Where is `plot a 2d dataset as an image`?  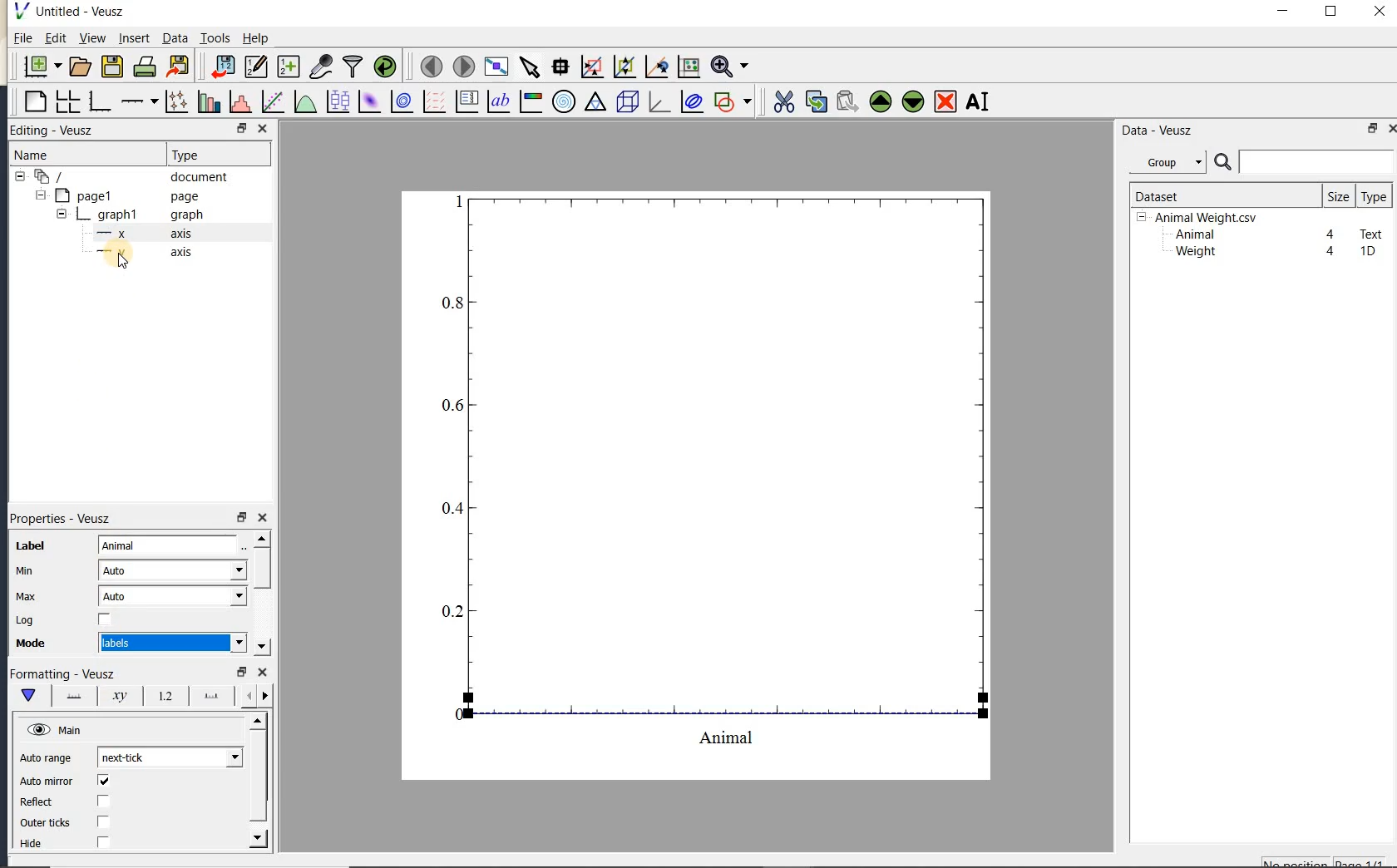
plot a 2d dataset as an image is located at coordinates (368, 101).